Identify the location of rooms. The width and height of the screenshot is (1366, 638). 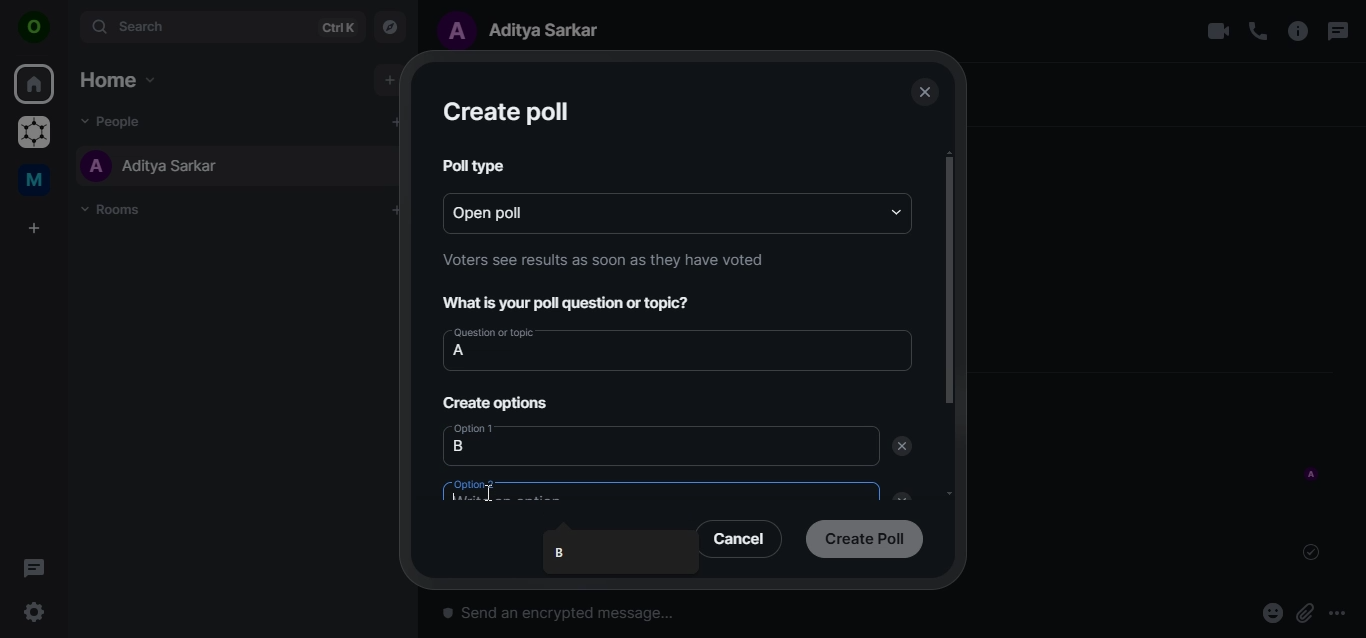
(117, 210).